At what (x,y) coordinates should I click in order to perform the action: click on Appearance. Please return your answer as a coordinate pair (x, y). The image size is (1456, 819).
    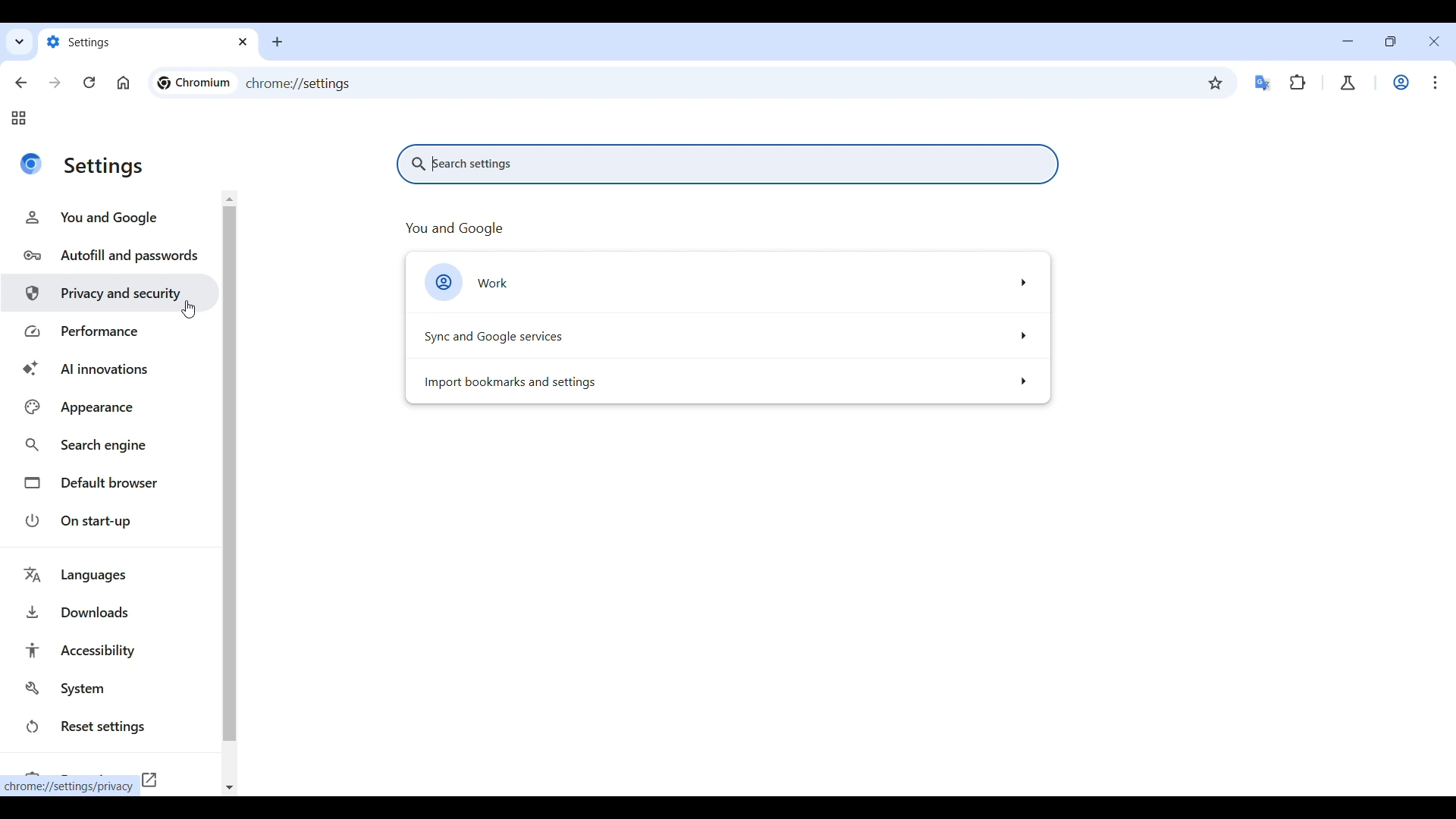
    Looking at the image, I should click on (111, 406).